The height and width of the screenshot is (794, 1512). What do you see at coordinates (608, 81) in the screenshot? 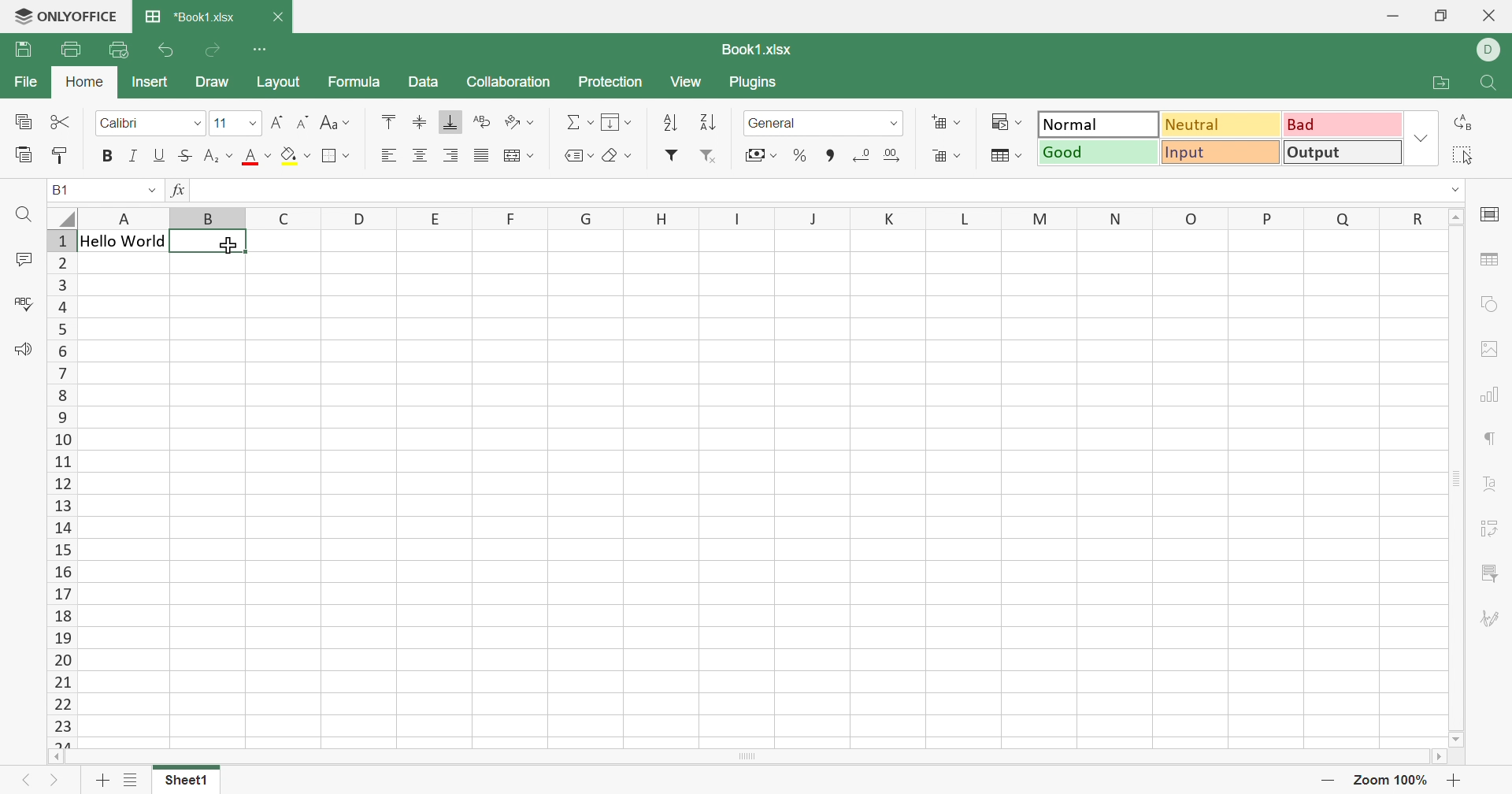
I see `Protection` at bounding box center [608, 81].